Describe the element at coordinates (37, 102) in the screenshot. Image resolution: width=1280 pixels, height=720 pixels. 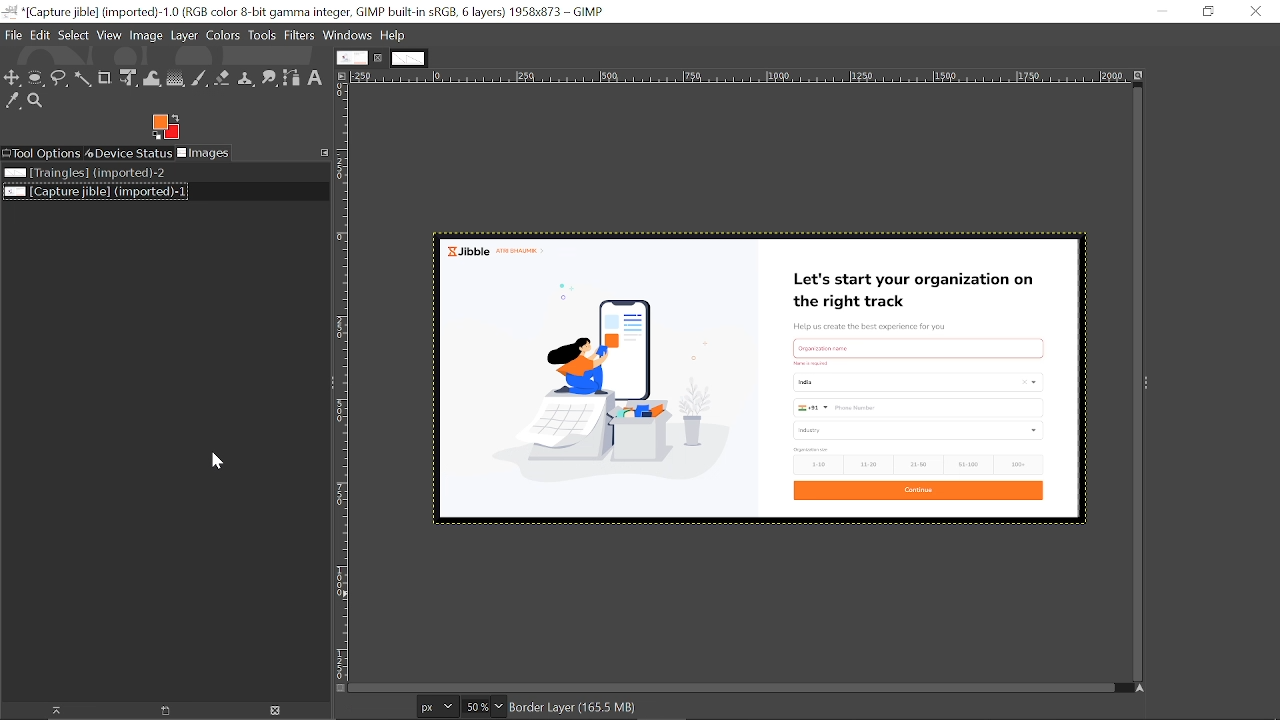
I see `Zoom tool` at that location.